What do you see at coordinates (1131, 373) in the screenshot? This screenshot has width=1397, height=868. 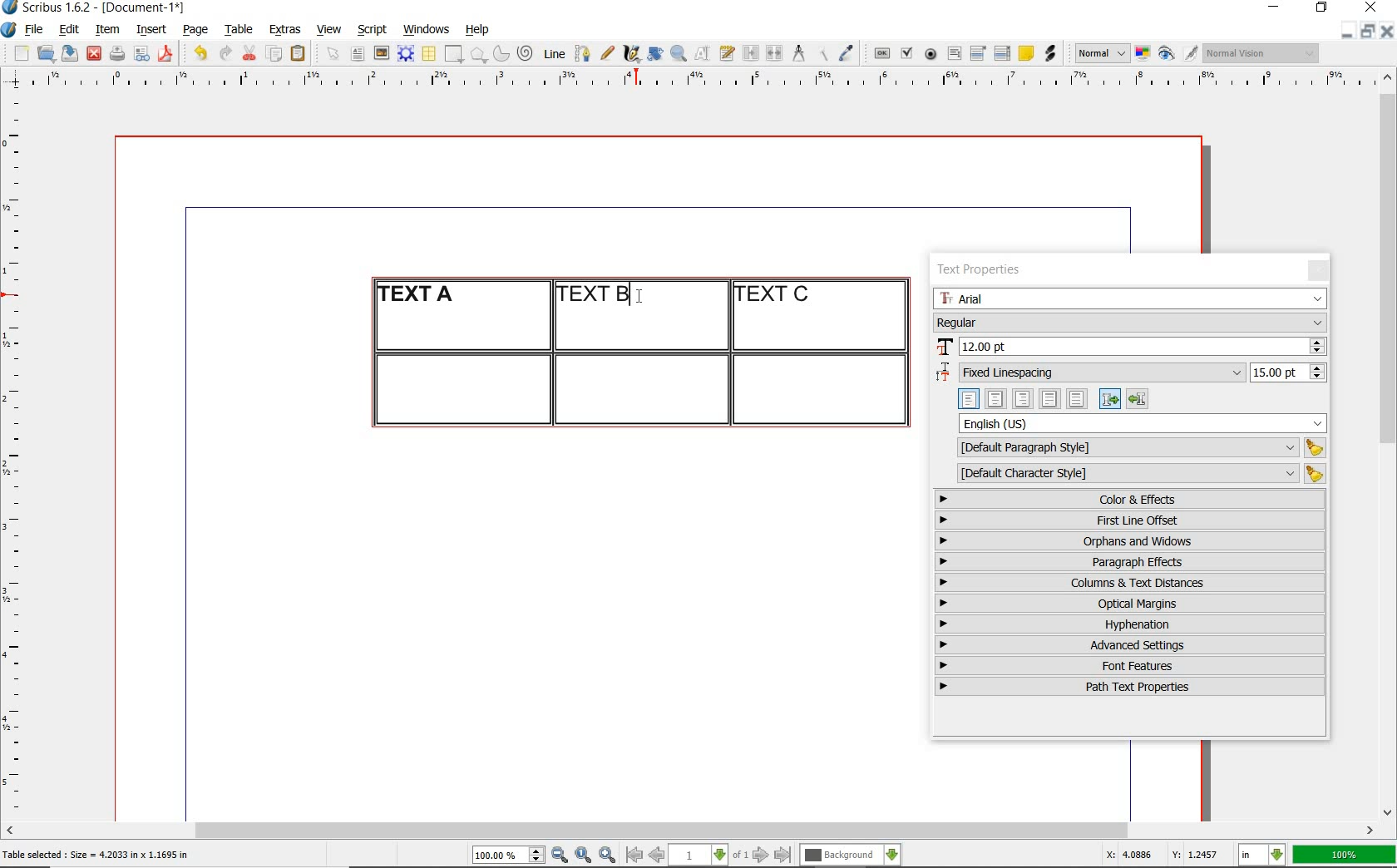 I see `fixed linespacing` at bounding box center [1131, 373].